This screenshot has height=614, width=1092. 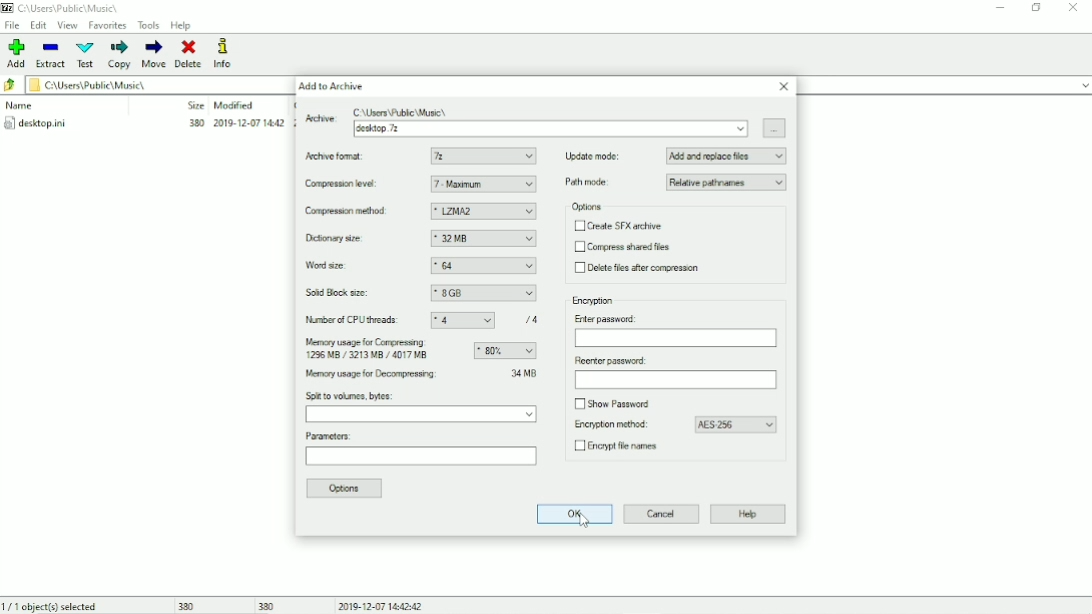 I want to click on Restore down, so click(x=1037, y=7).